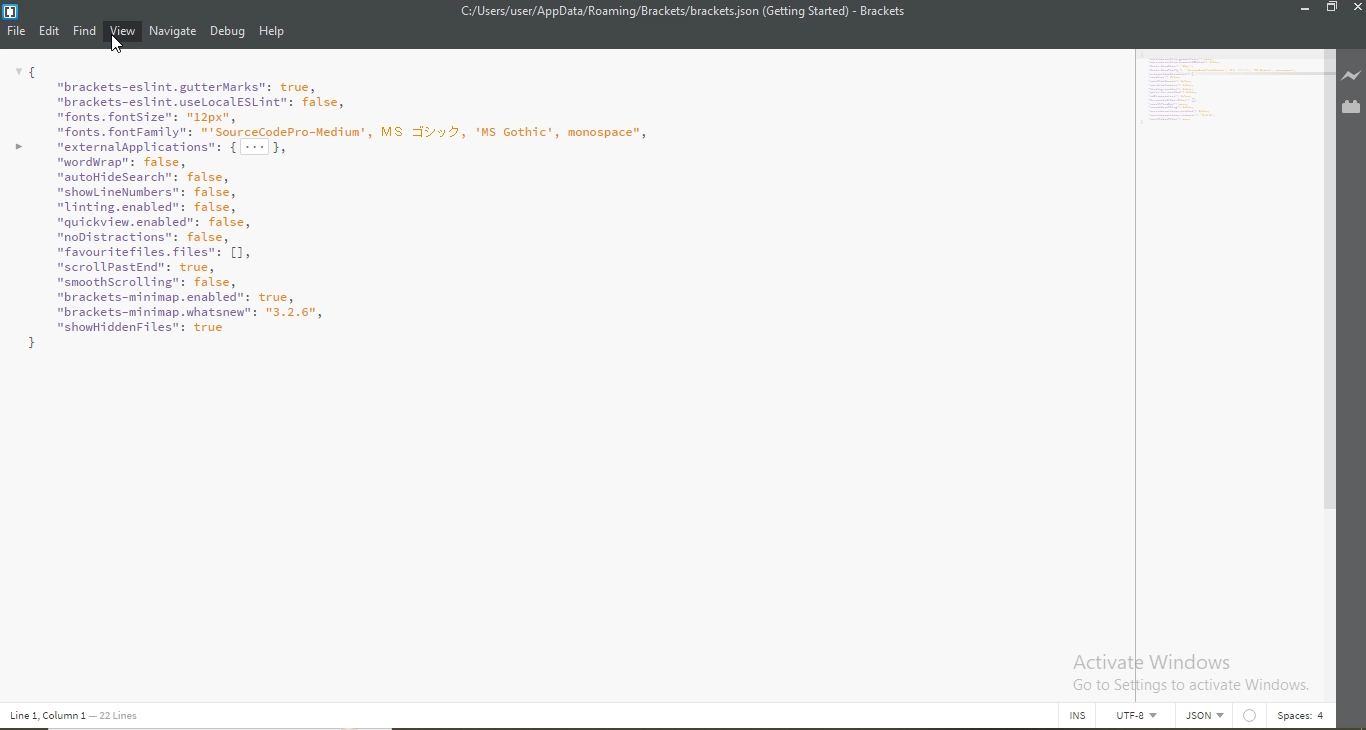 The image size is (1366, 730). I want to click on  UTF-8, so click(1142, 719).